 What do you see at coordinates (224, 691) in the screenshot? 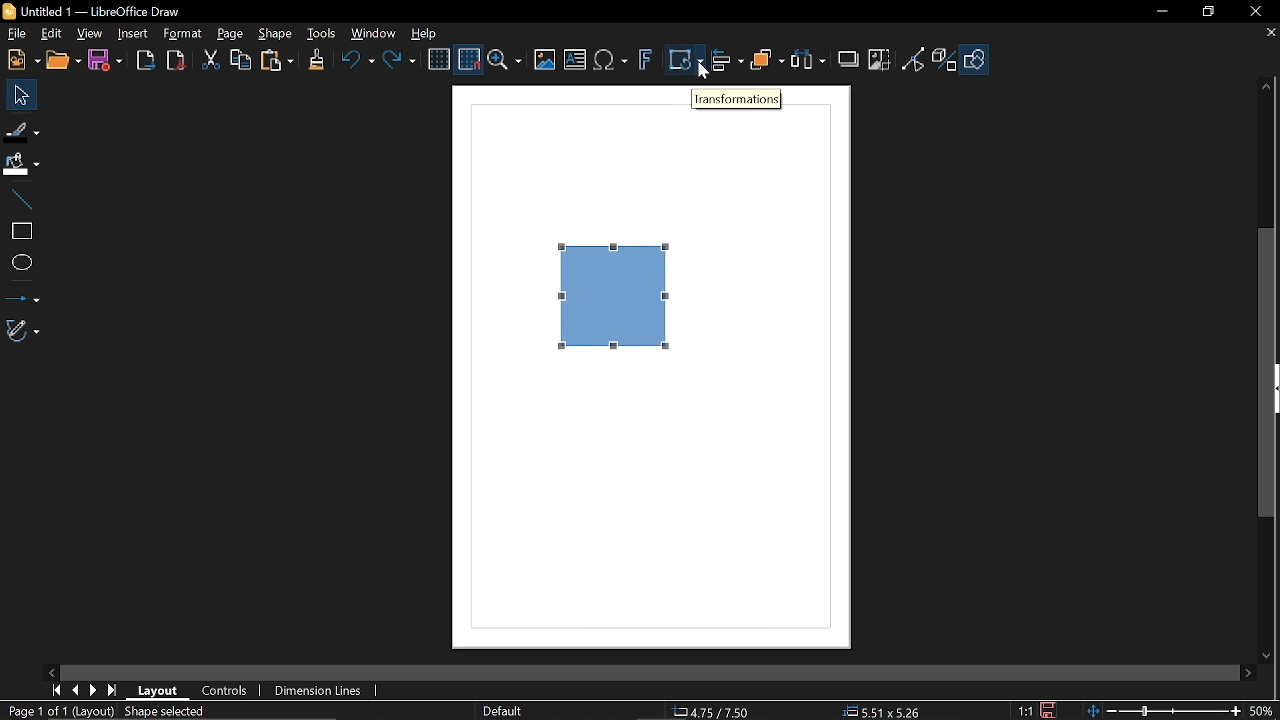
I see `Controls` at bounding box center [224, 691].